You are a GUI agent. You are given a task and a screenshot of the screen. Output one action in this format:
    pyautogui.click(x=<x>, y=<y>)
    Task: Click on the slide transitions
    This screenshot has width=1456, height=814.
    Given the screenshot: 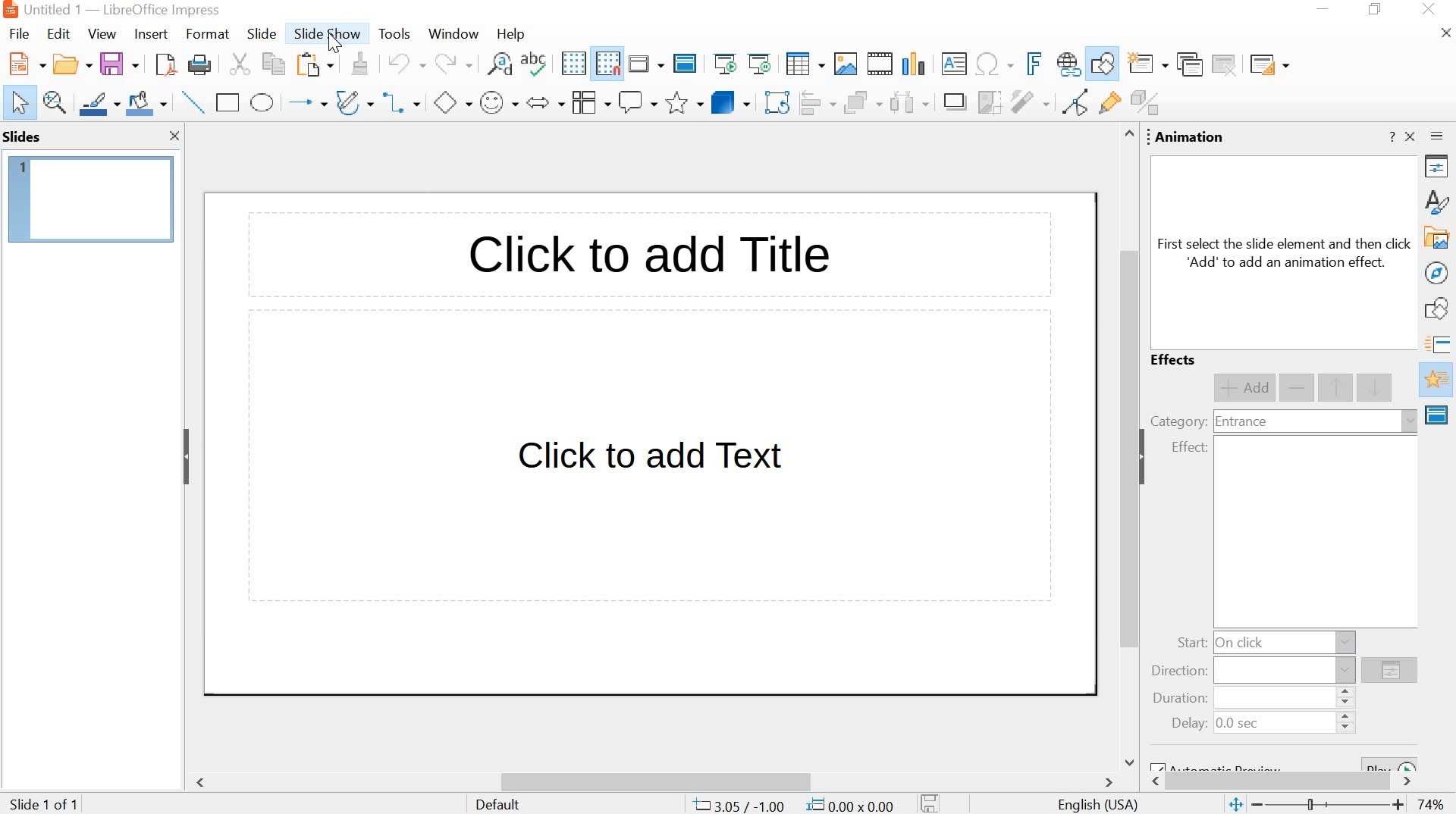 What is the action you would take?
    pyautogui.click(x=1439, y=345)
    